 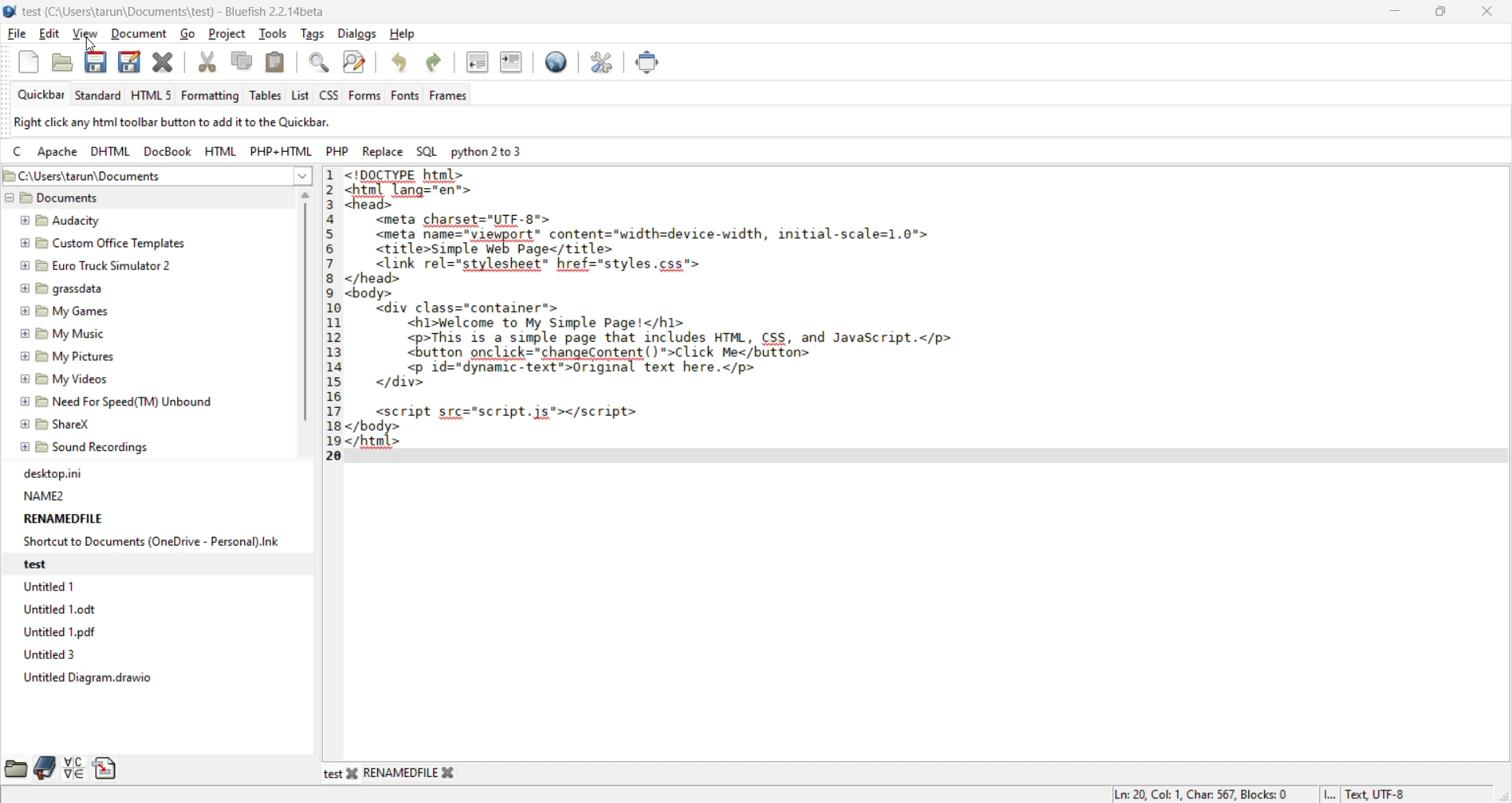 What do you see at coordinates (1397, 13) in the screenshot?
I see `minimize` at bounding box center [1397, 13].